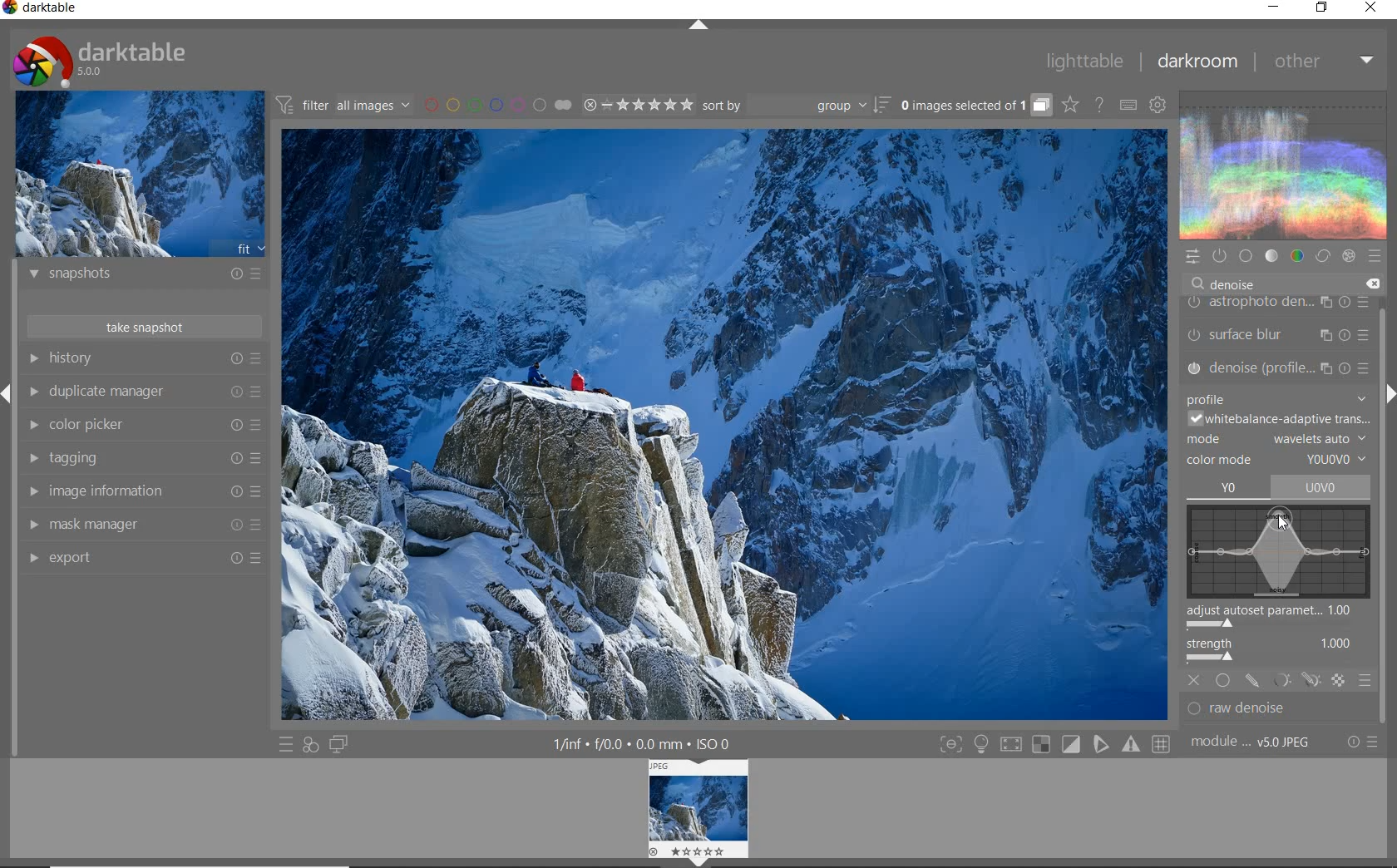 This screenshot has width=1397, height=868. I want to click on WAVELETS MAP, so click(1278, 552).